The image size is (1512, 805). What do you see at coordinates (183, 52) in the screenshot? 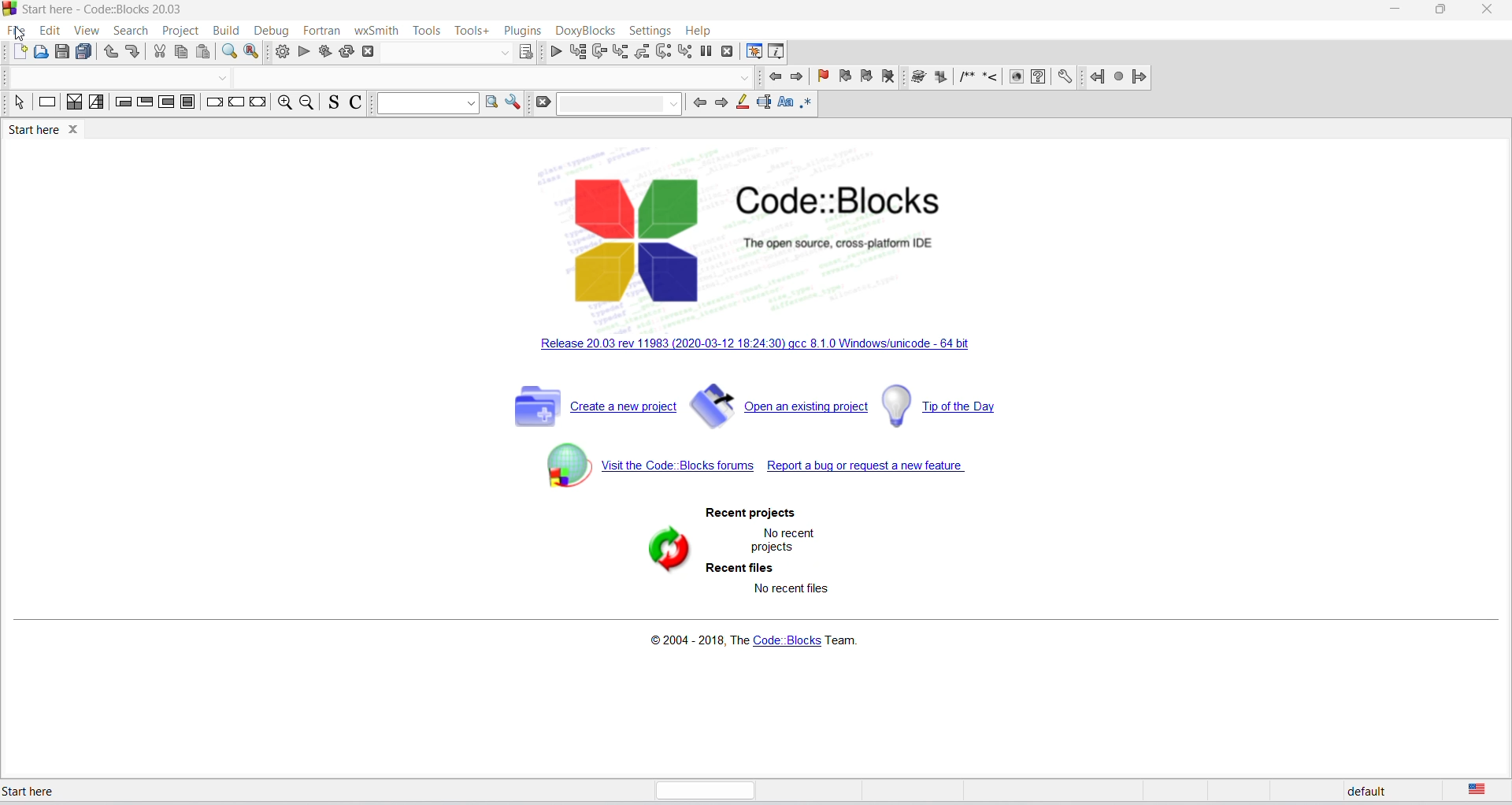
I see `copy` at bounding box center [183, 52].